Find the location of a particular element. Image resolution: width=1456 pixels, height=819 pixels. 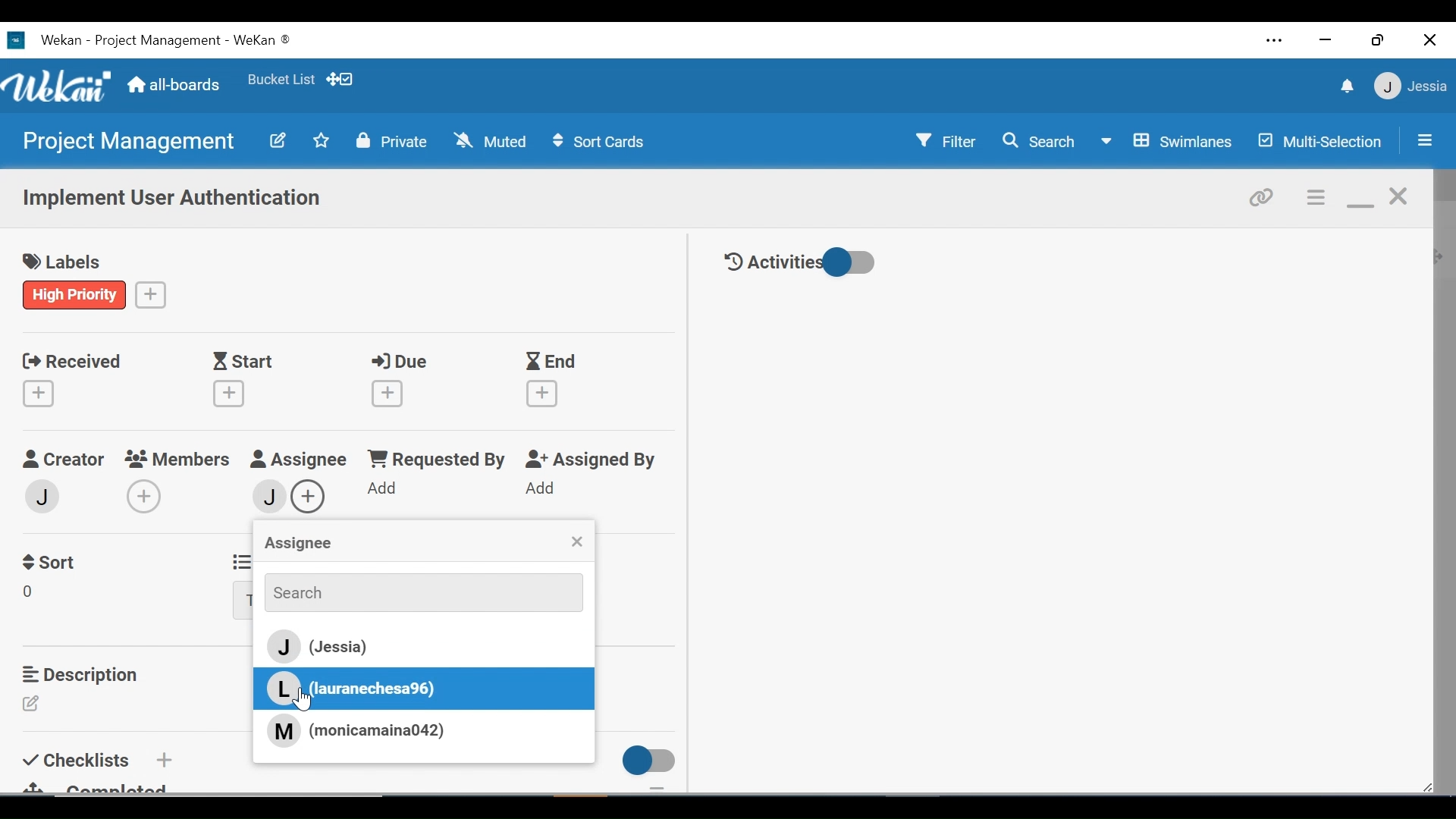

Creator is located at coordinates (62, 460).